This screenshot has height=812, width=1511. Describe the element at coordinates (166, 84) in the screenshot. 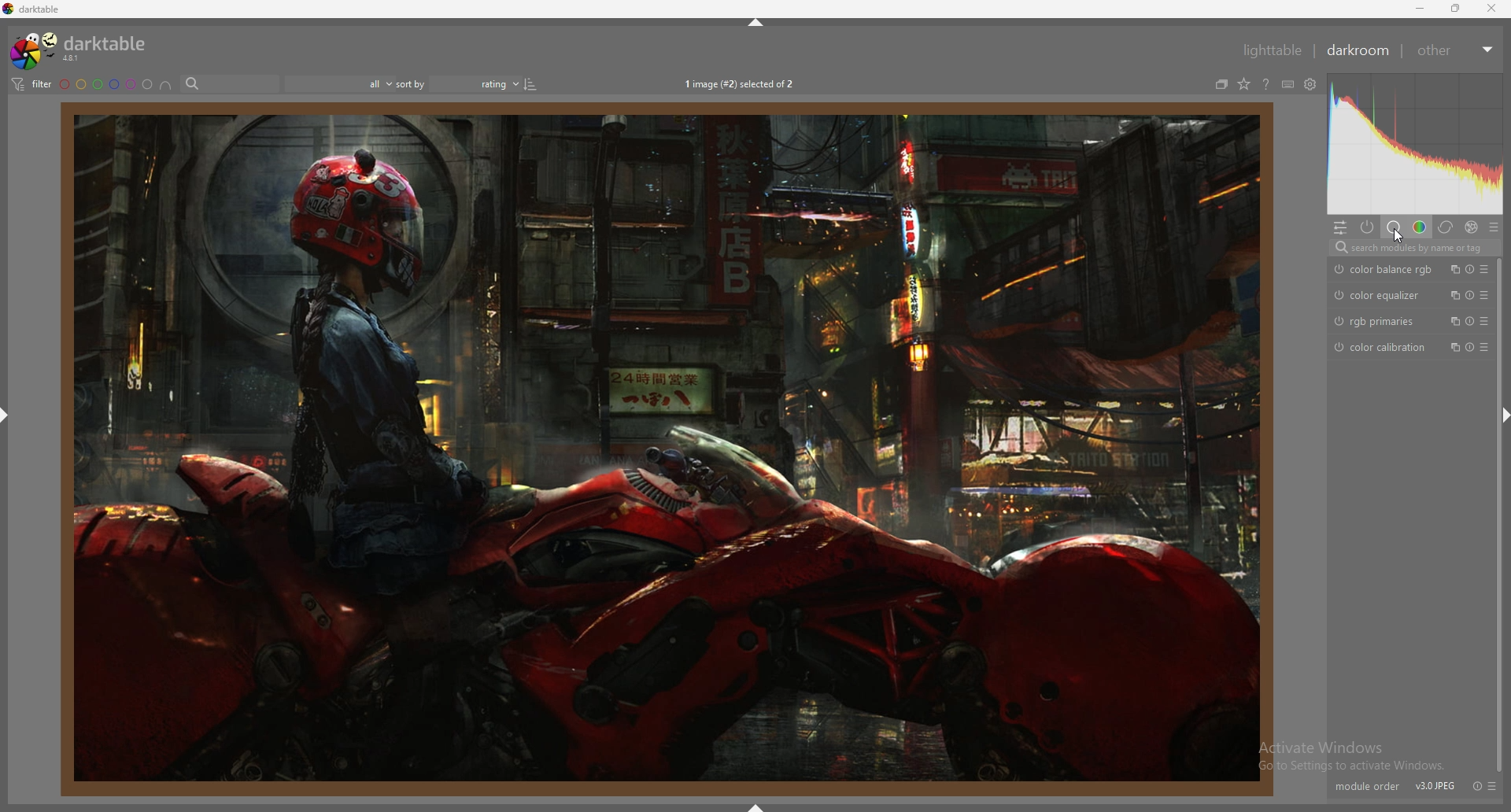

I see `include color labels` at that location.